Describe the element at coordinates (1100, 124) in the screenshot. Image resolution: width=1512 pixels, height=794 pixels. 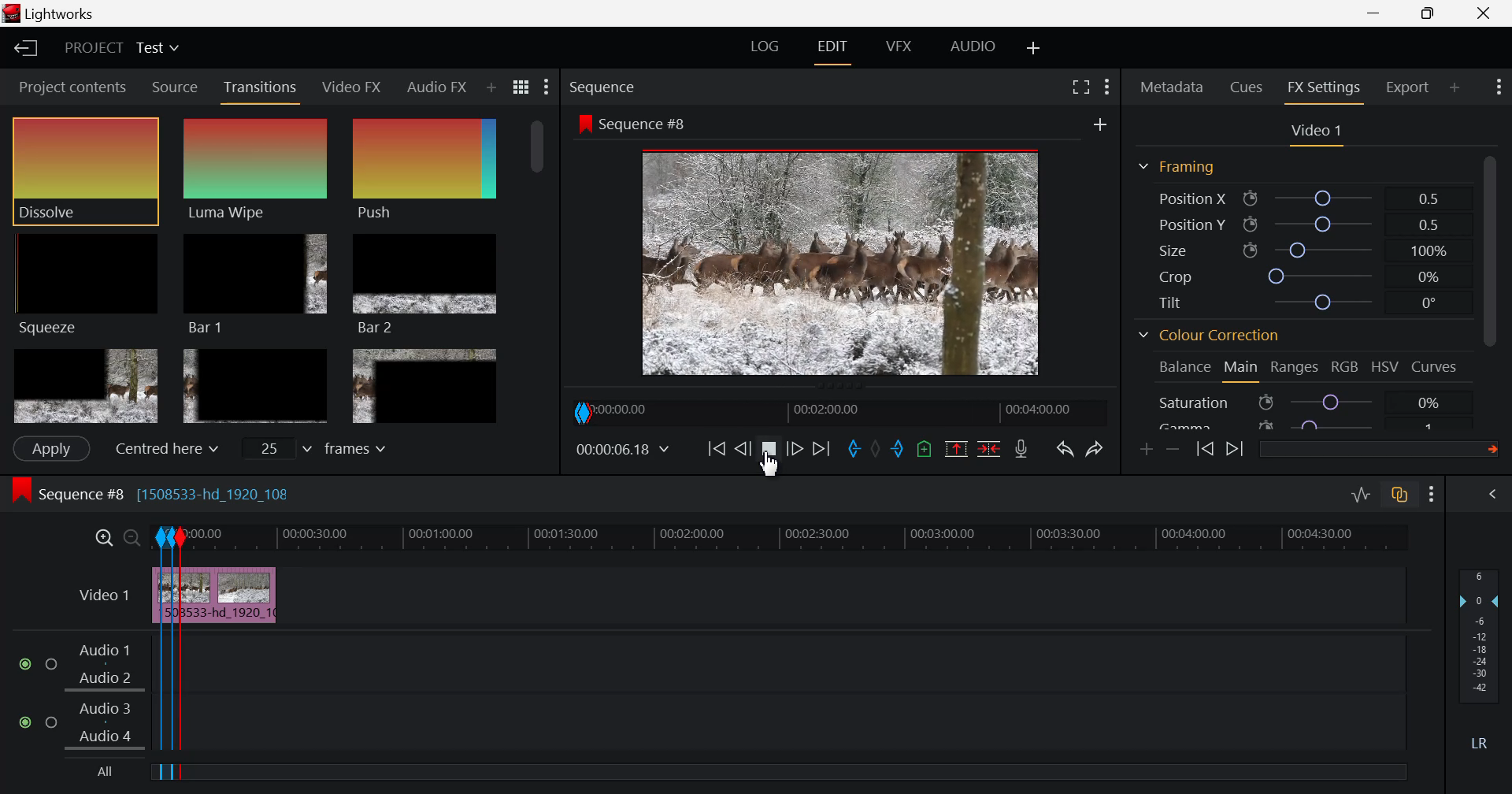
I see `Add` at that location.